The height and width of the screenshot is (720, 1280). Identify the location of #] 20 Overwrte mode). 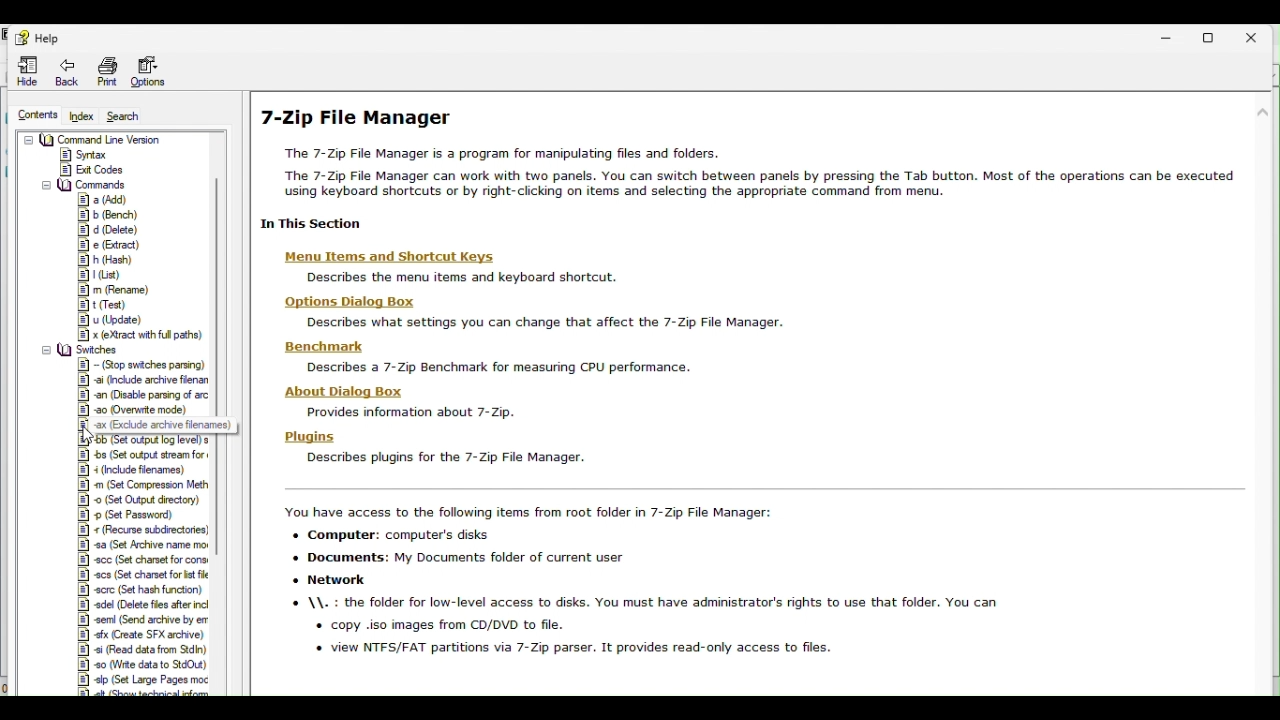
(135, 410).